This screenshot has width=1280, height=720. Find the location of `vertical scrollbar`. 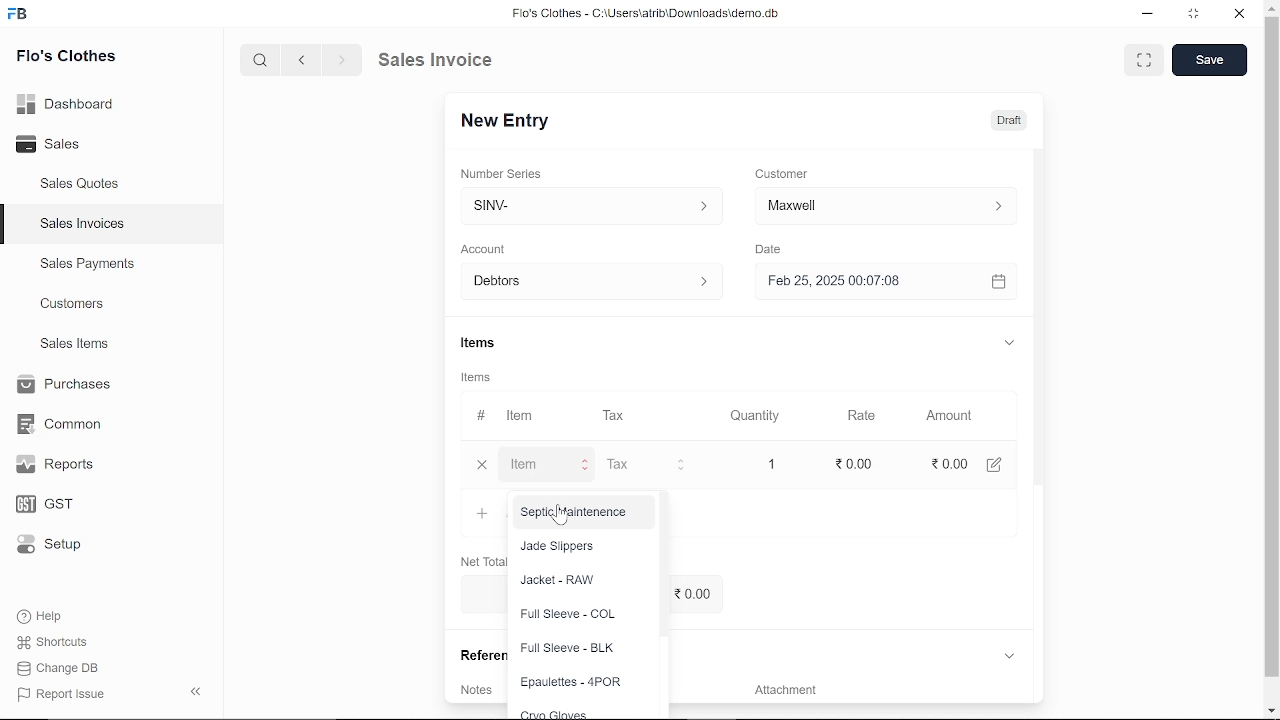

vertical scrollbar is located at coordinates (1050, 325).